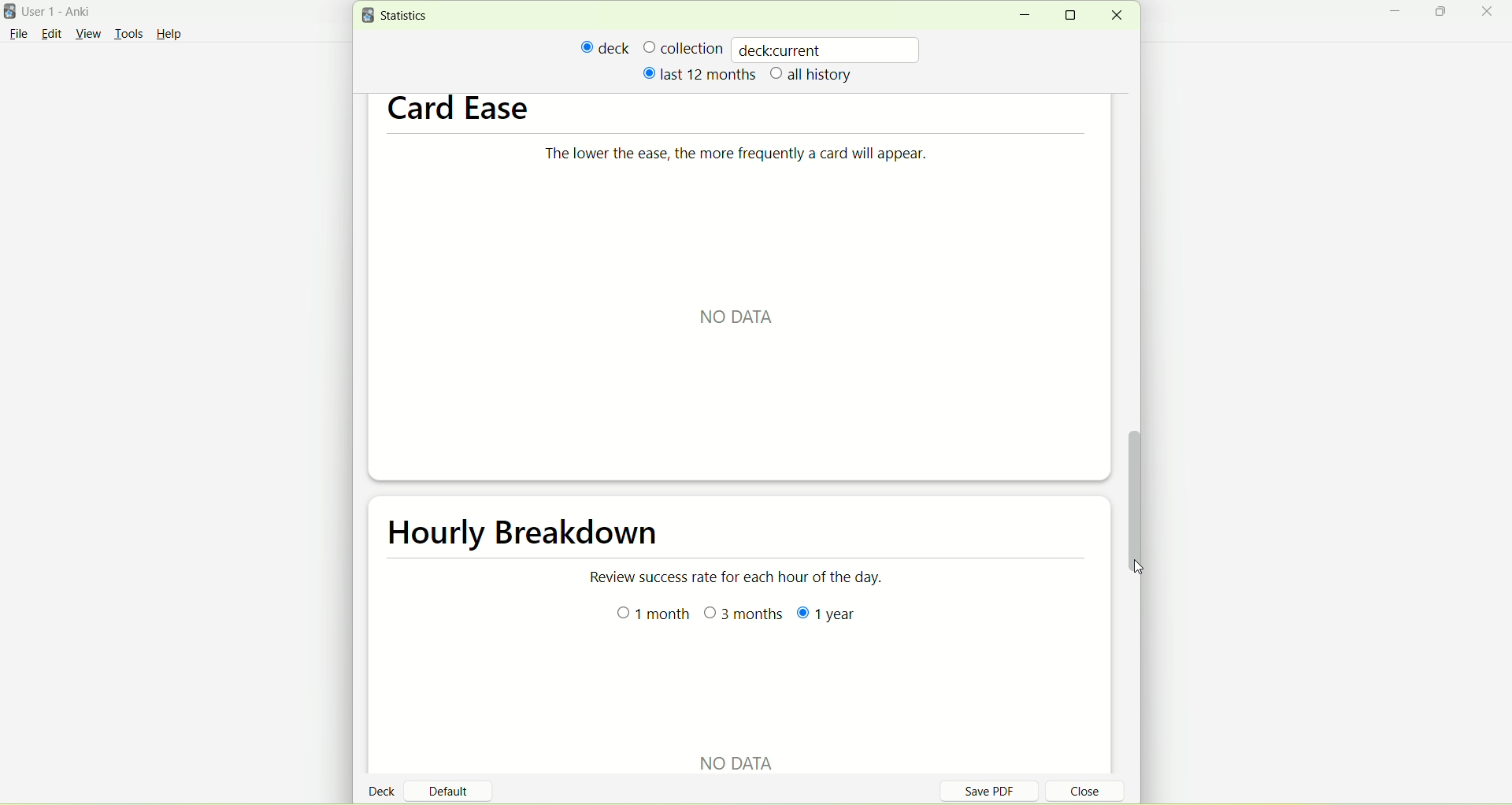  I want to click on close, so click(1076, 793).